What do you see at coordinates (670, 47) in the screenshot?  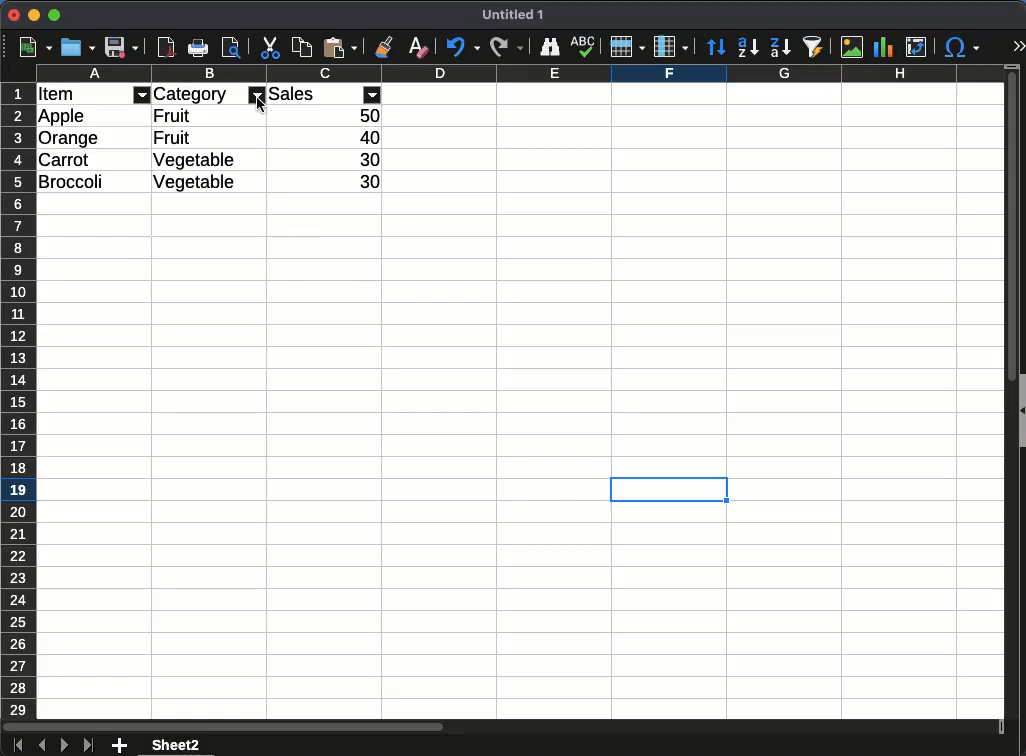 I see `column` at bounding box center [670, 47].